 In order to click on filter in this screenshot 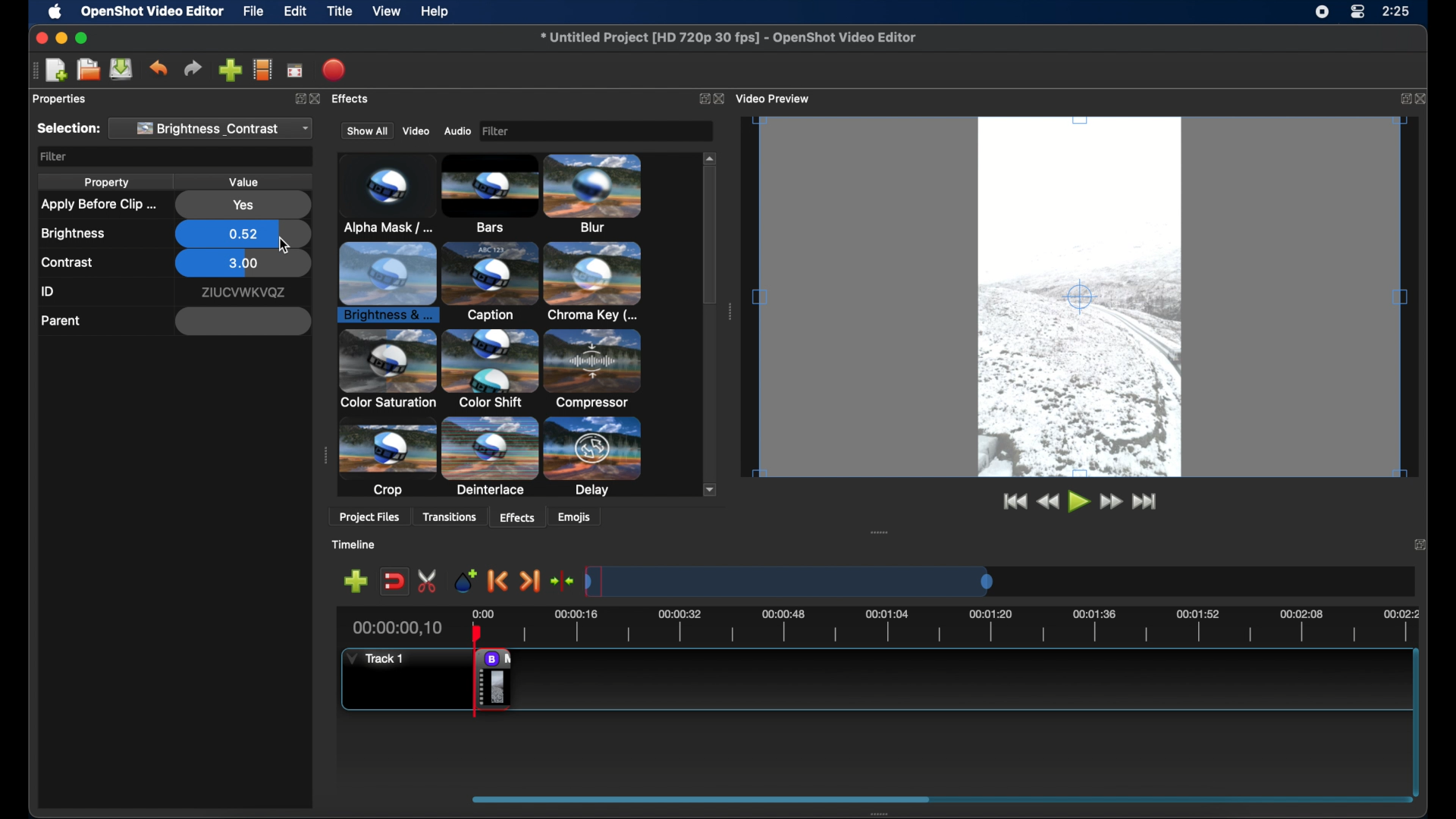, I will do `click(54, 157)`.